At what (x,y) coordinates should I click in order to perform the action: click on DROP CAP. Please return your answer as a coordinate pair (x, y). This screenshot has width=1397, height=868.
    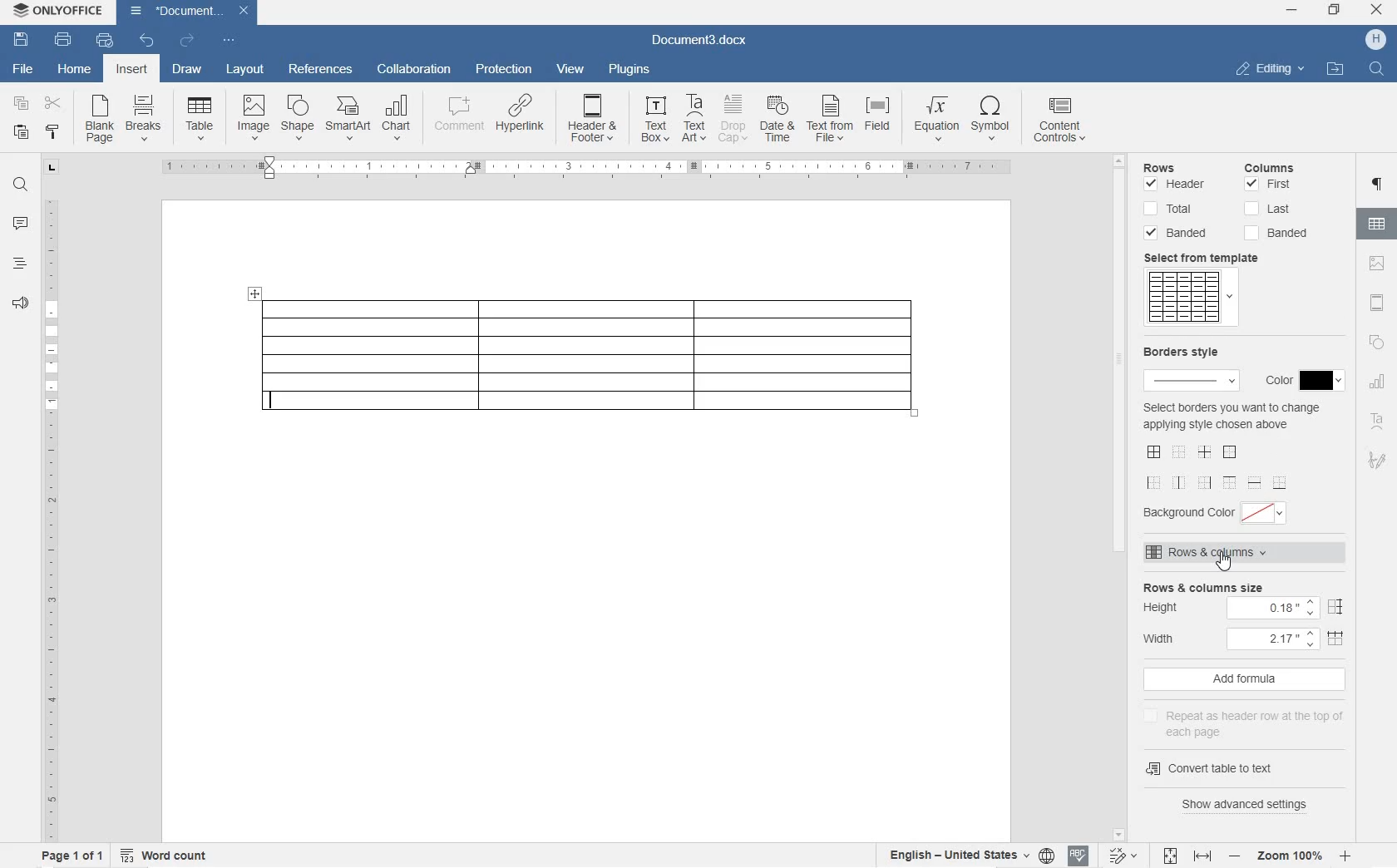
    Looking at the image, I should click on (734, 119).